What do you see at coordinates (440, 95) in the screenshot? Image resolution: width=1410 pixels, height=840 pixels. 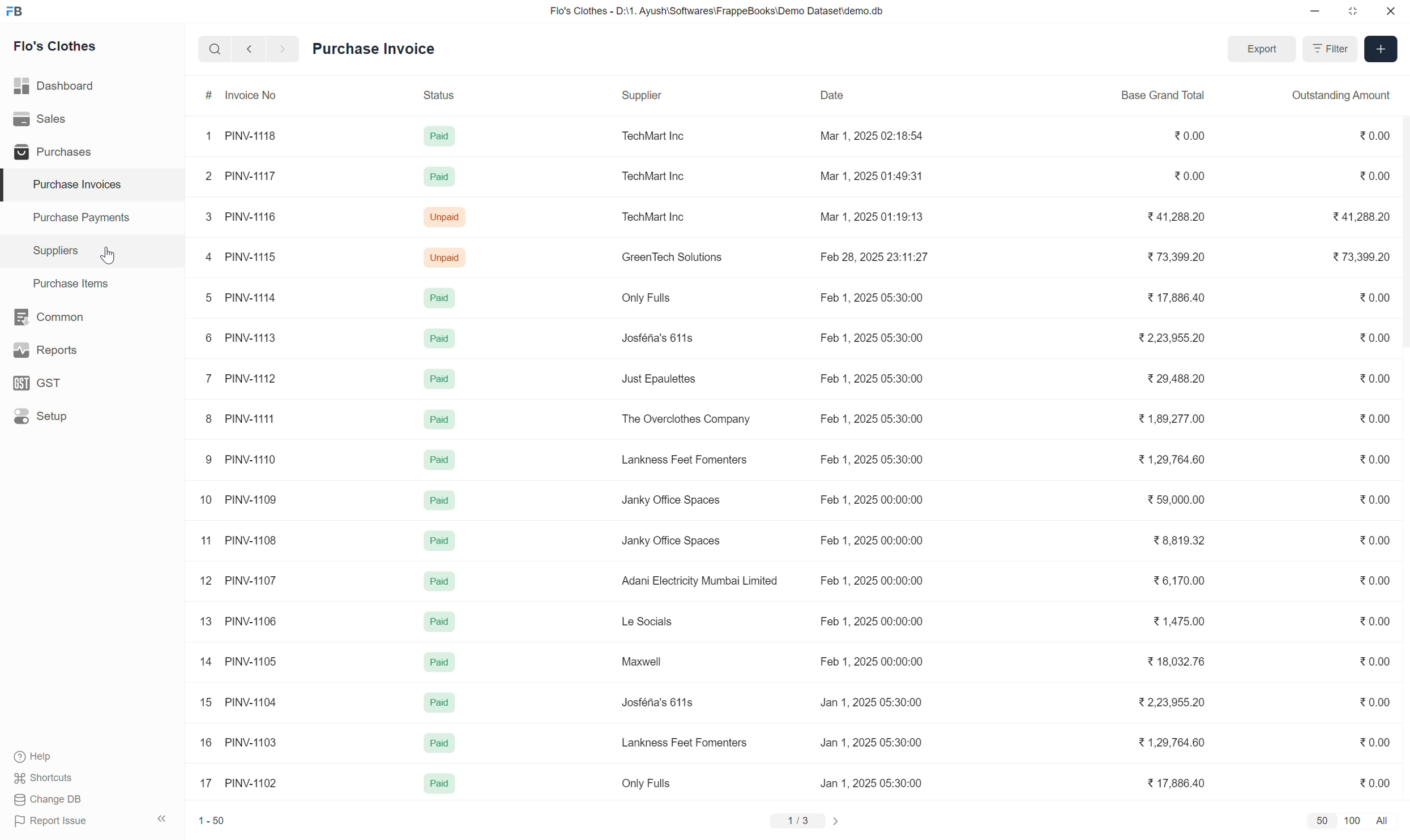 I see `Status` at bounding box center [440, 95].